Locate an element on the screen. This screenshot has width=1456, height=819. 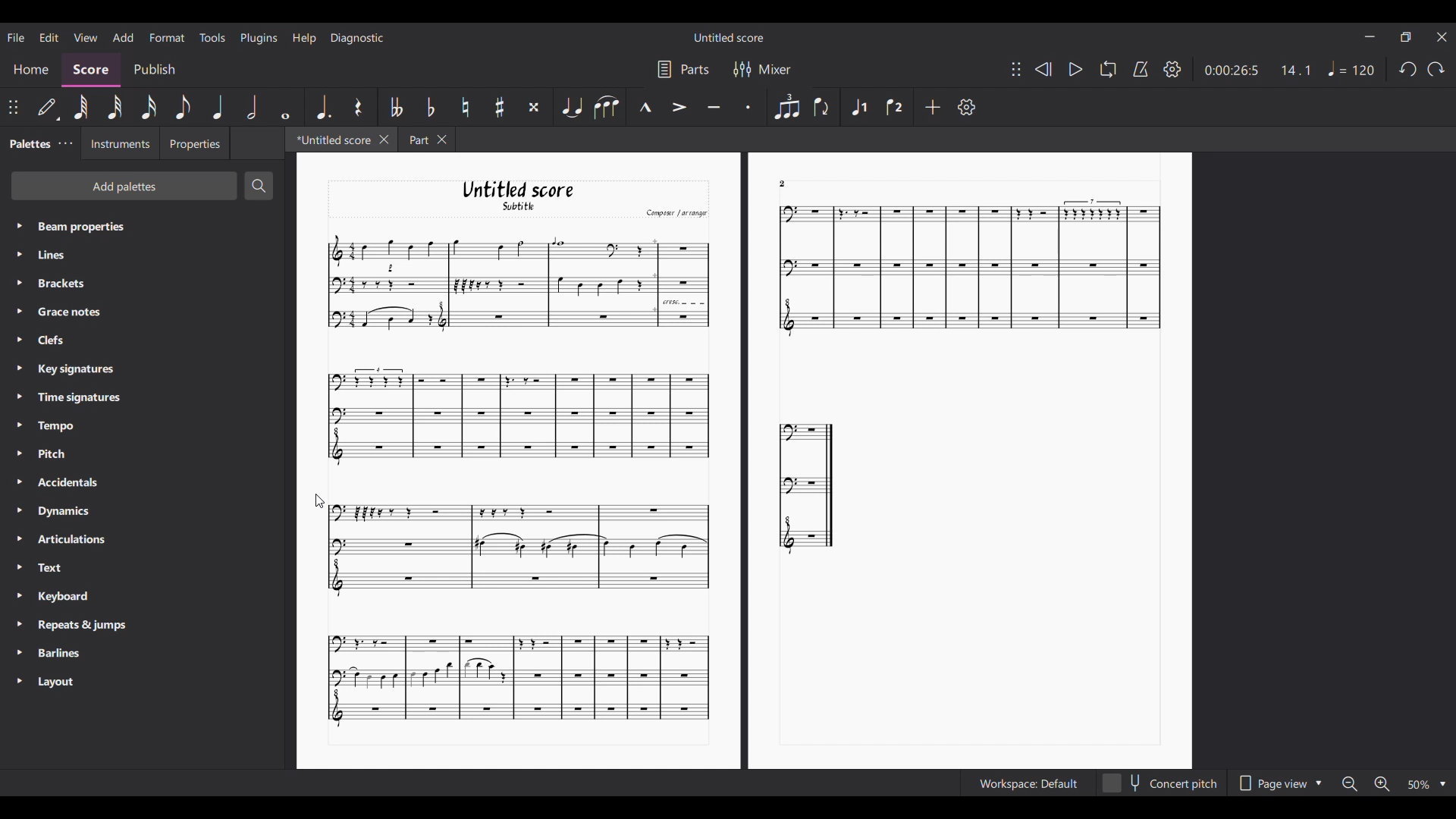
> Repeats & jumps is located at coordinates (74, 626).